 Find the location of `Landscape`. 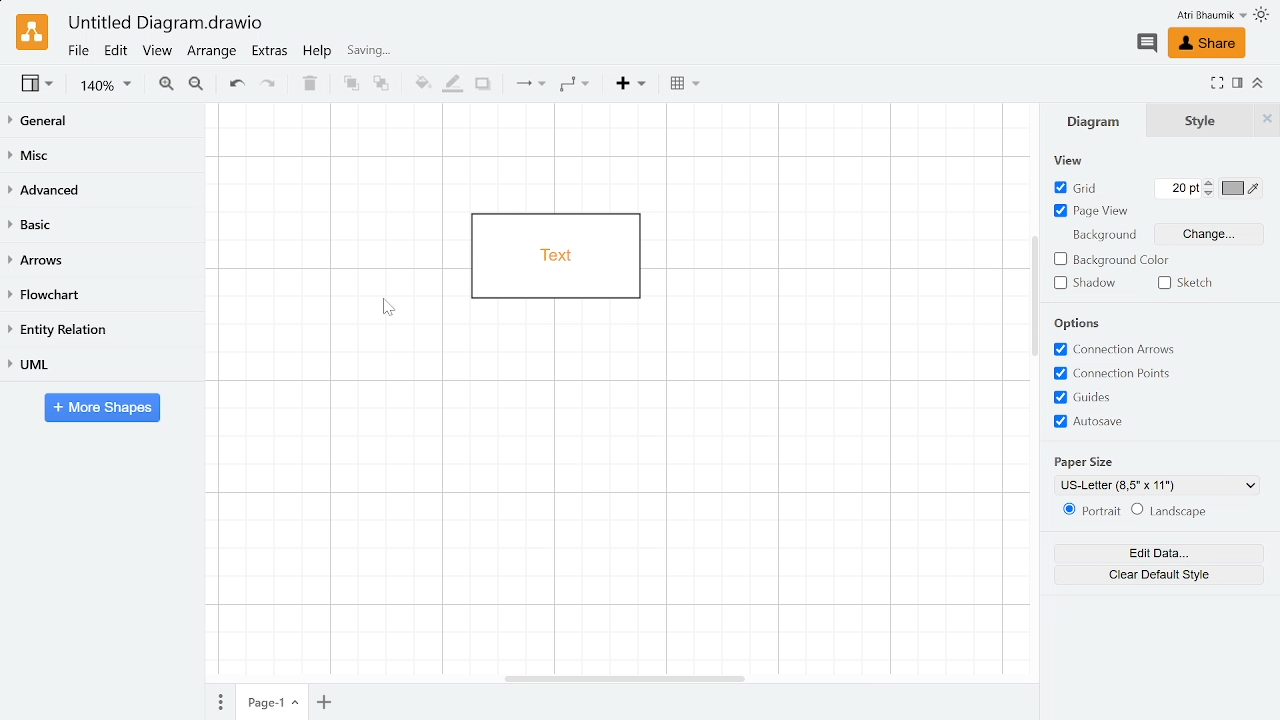

Landscape is located at coordinates (1193, 512).